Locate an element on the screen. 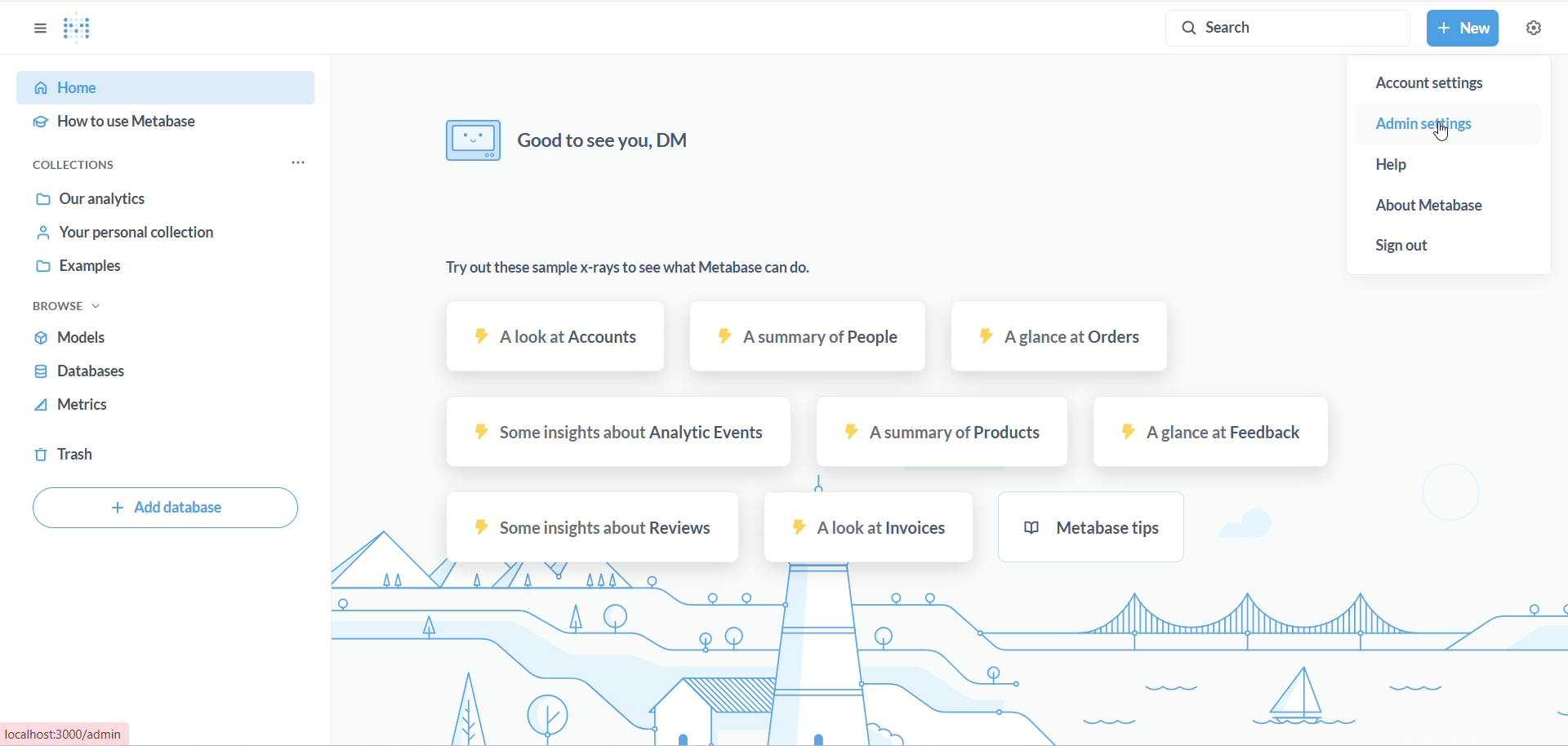 This screenshot has width=1568, height=746. how to use metabase is located at coordinates (122, 123).